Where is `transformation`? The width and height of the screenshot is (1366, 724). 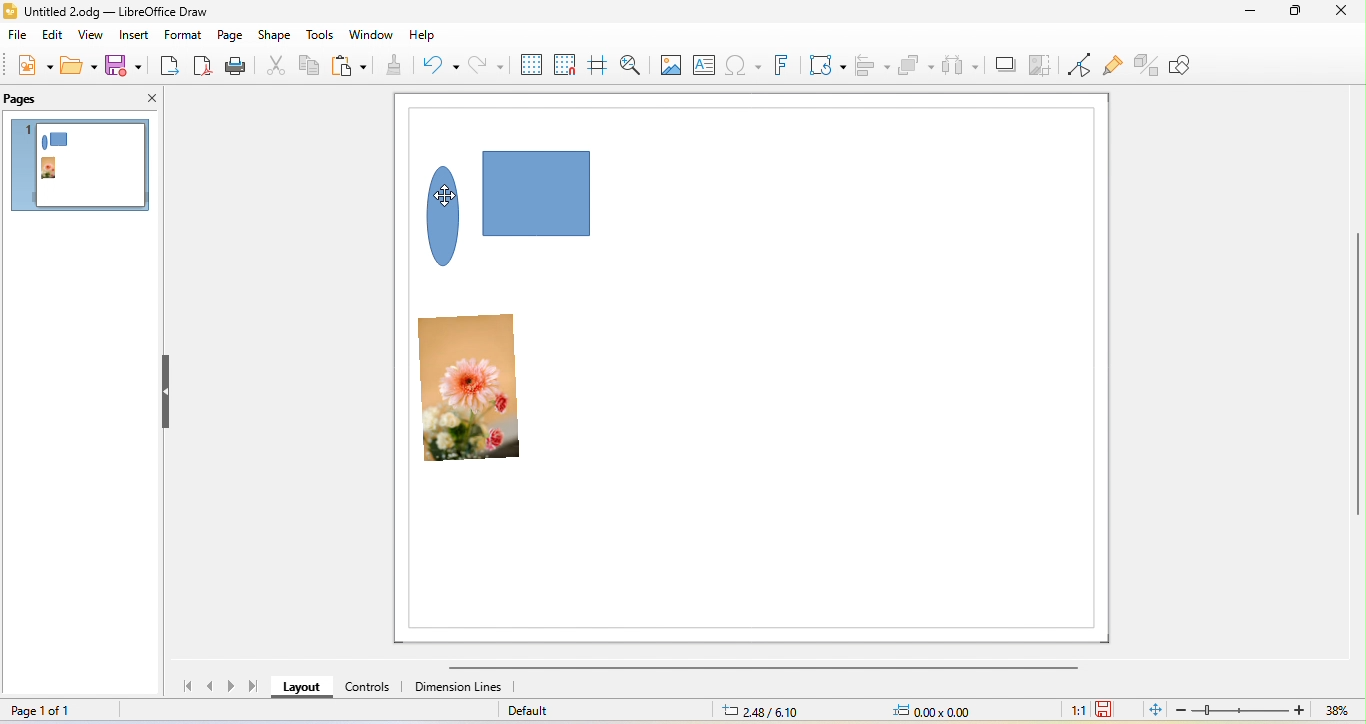
transformation is located at coordinates (829, 64).